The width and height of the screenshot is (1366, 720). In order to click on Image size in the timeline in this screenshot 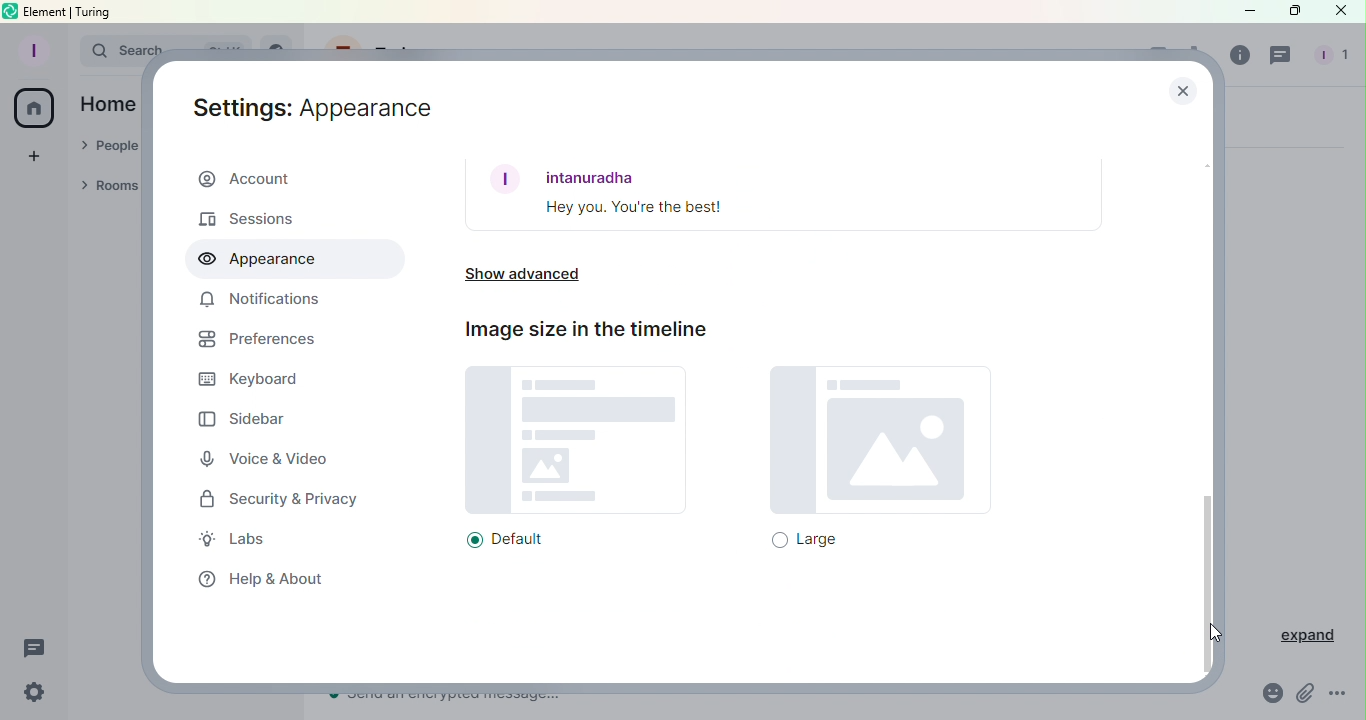, I will do `click(583, 329)`.